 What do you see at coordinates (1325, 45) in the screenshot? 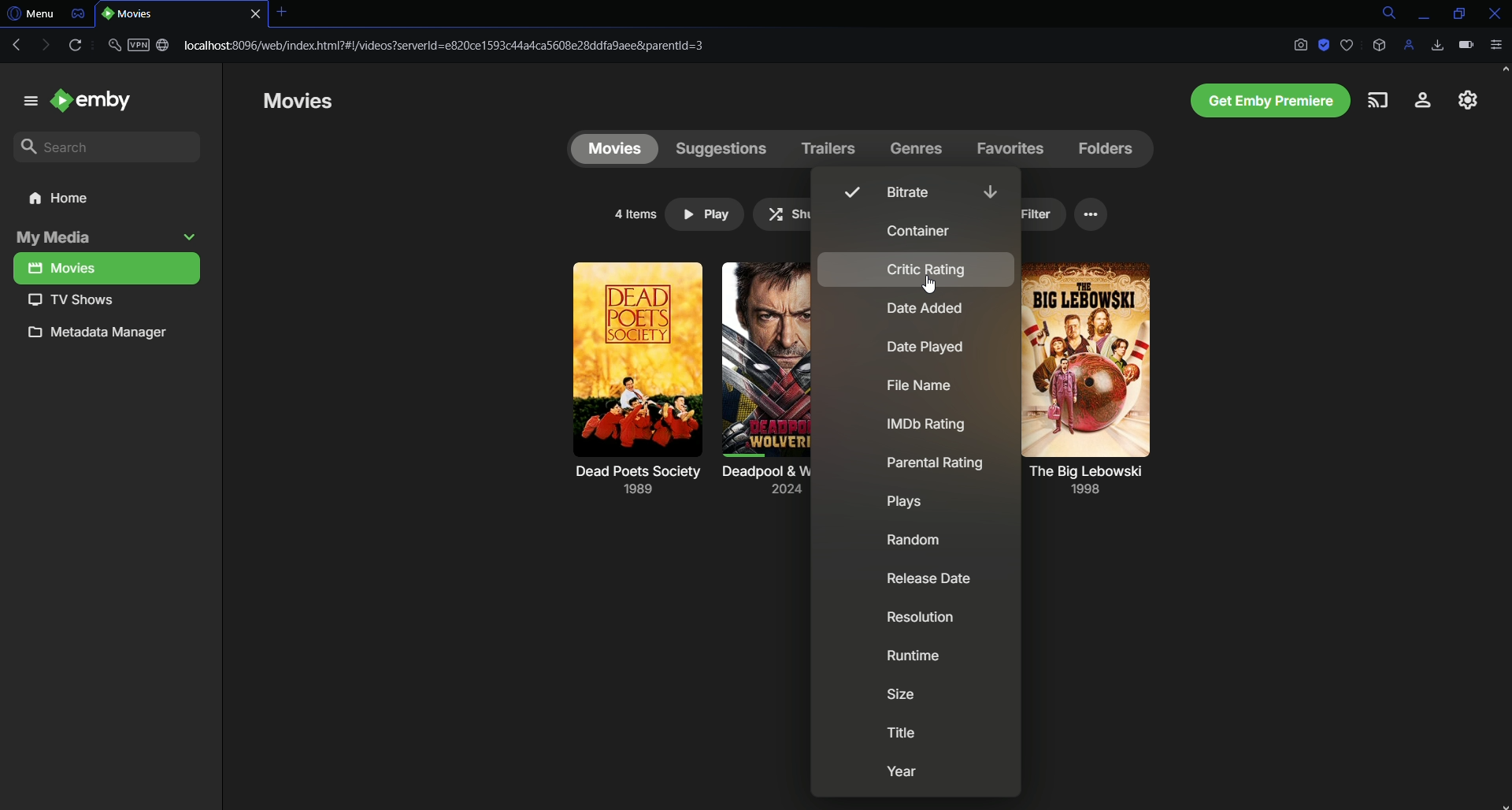
I see `Adblock` at bounding box center [1325, 45].